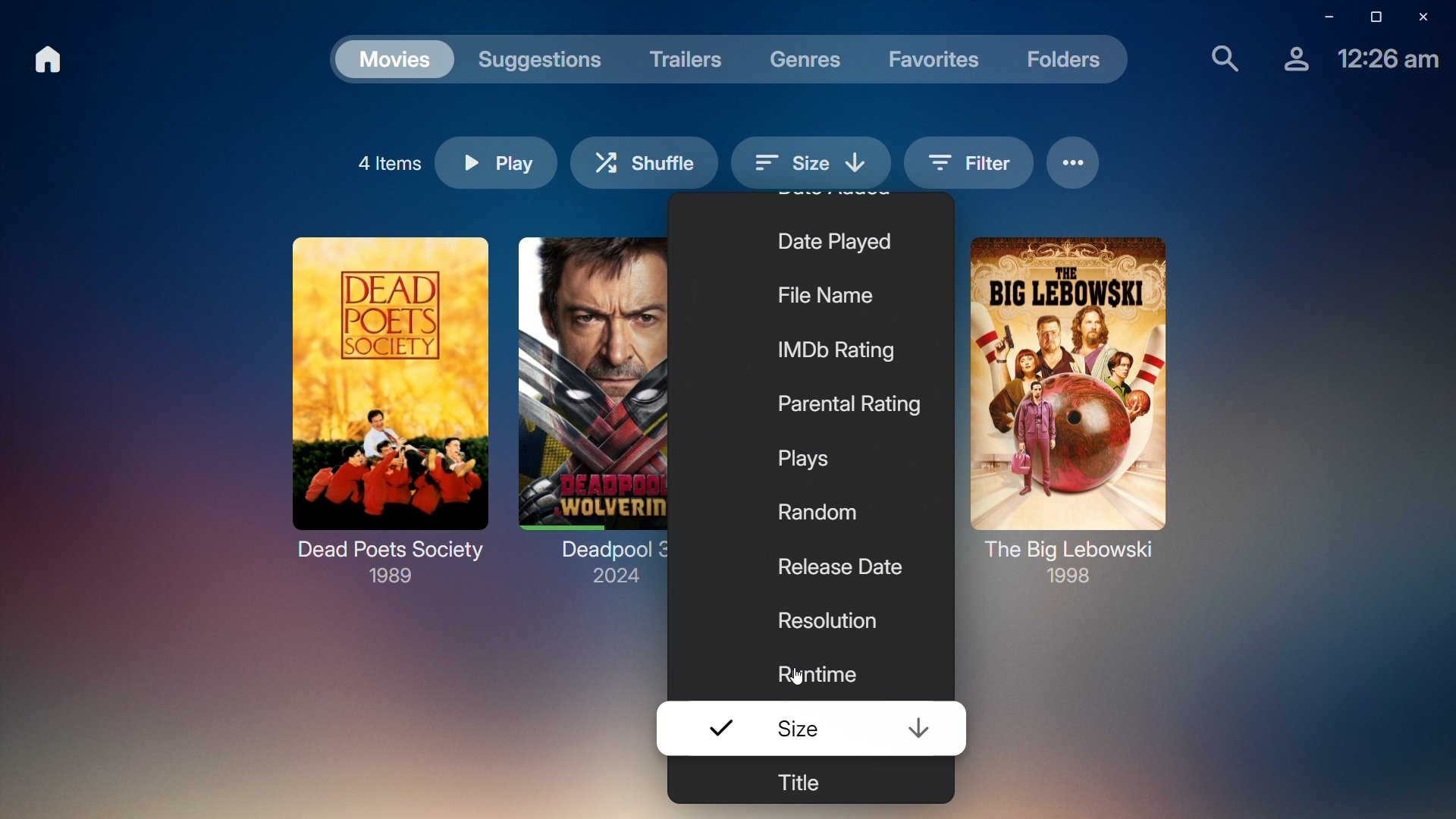 The width and height of the screenshot is (1456, 819). Describe the element at coordinates (1384, 64) in the screenshot. I see `Time` at that location.